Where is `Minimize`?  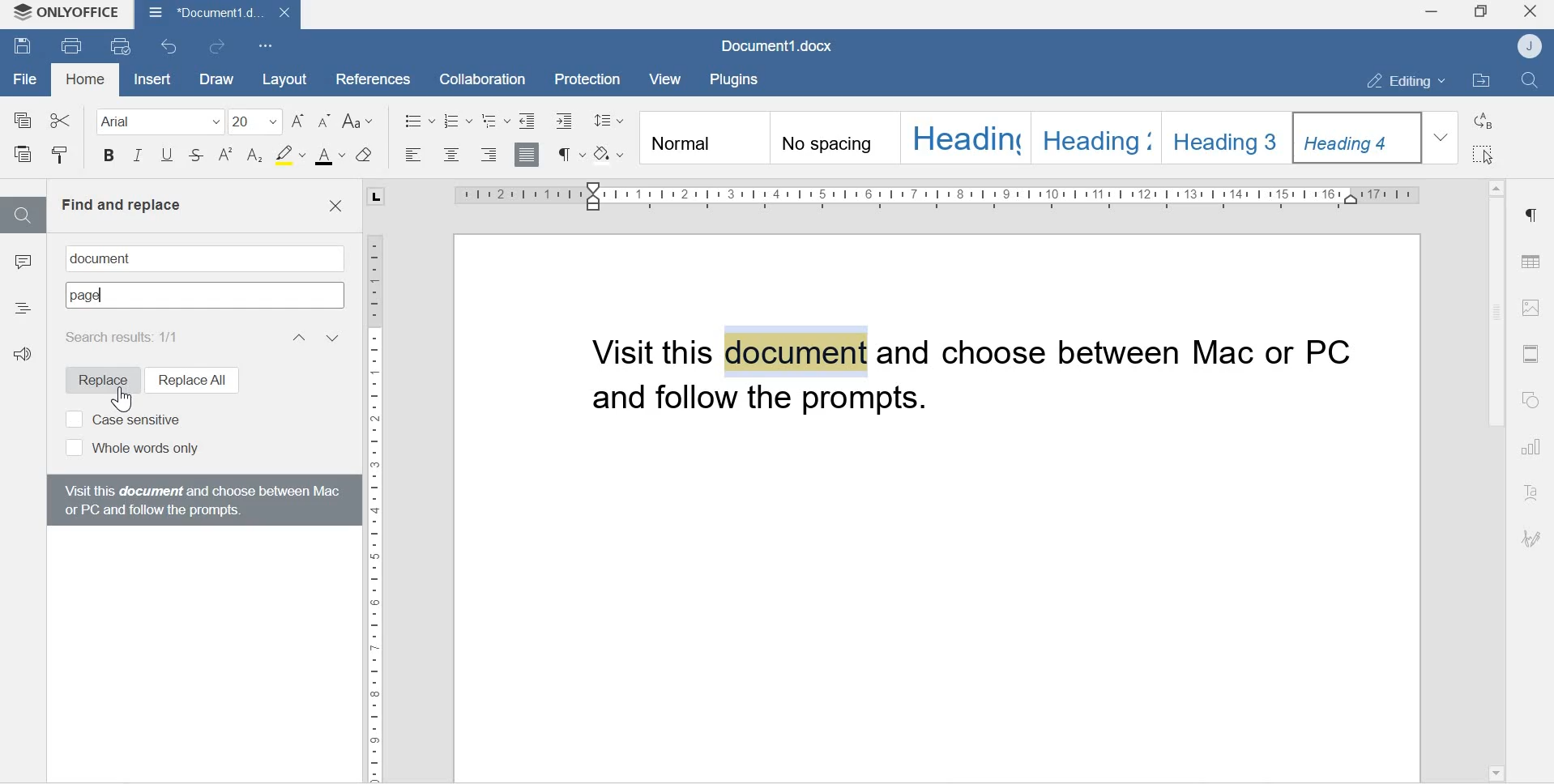
Minimize is located at coordinates (1430, 14).